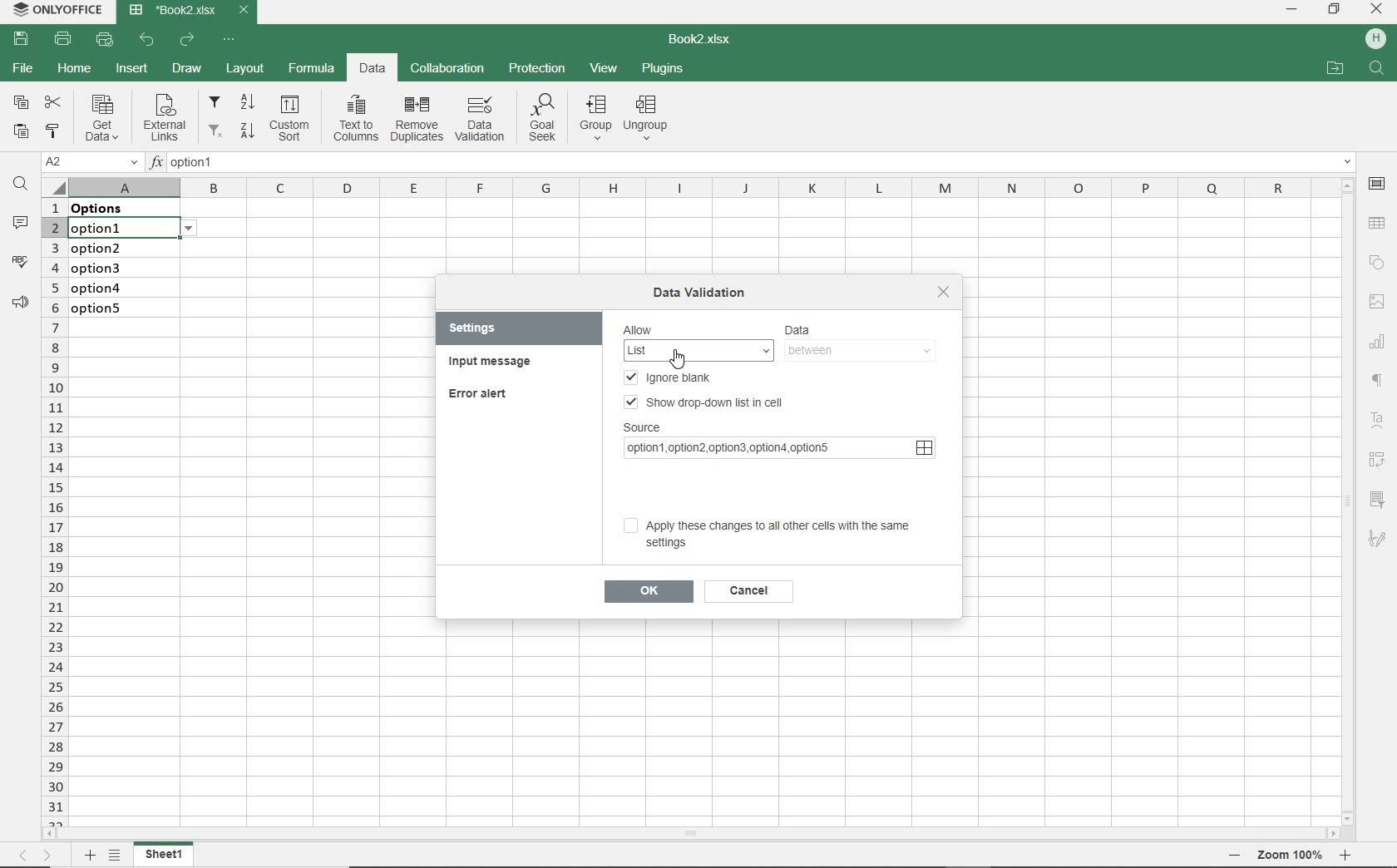 Image resolution: width=1397 pixels, height=868 pixels. What do you see at coordinates (60, 10) in the screenshot?
I see `SYSTEM NAME` at bounding box center [60, 10].